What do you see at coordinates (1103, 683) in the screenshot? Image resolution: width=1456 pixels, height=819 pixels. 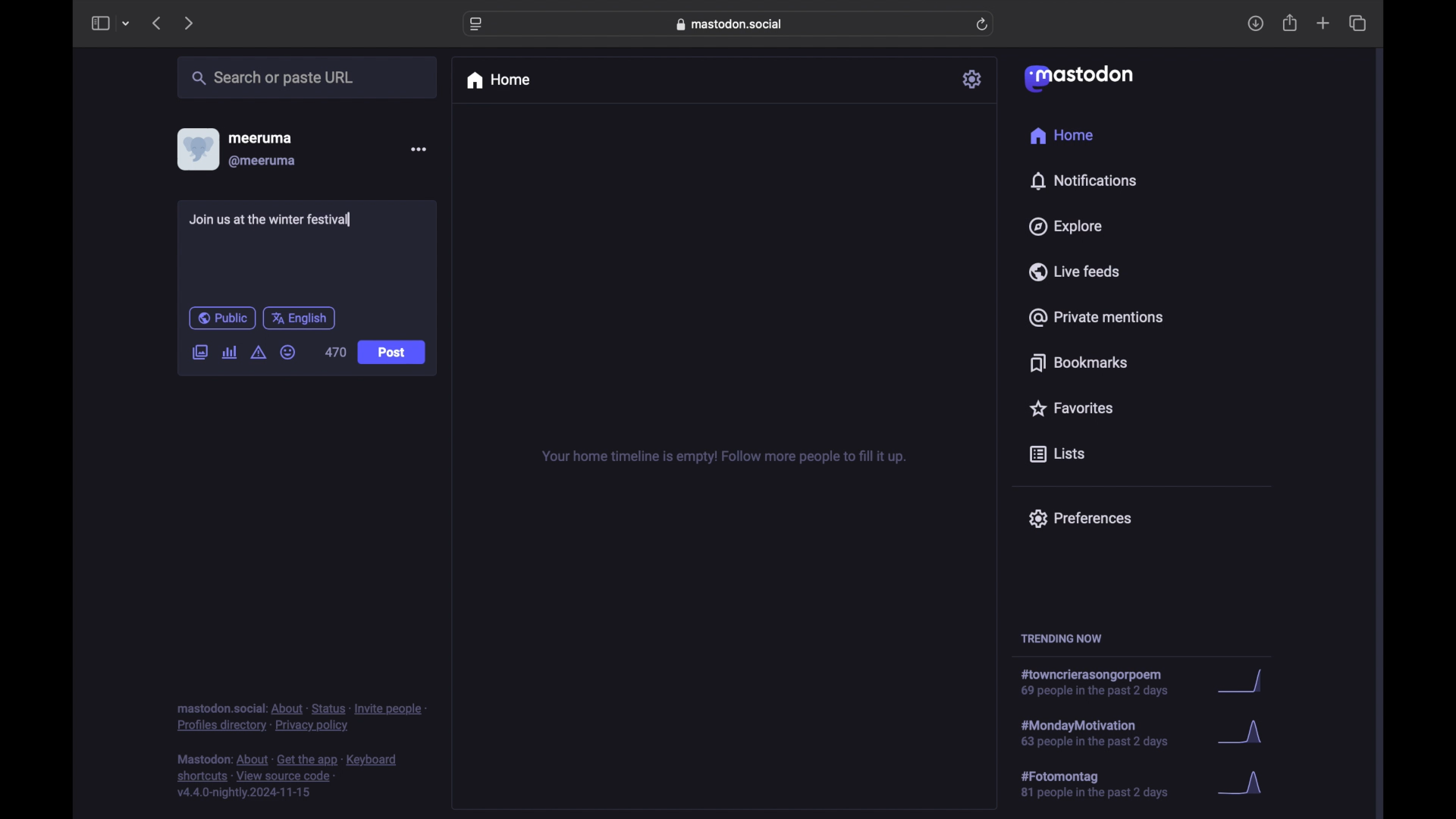 I see `hashtag trend` at bounding box center [1103, 683].